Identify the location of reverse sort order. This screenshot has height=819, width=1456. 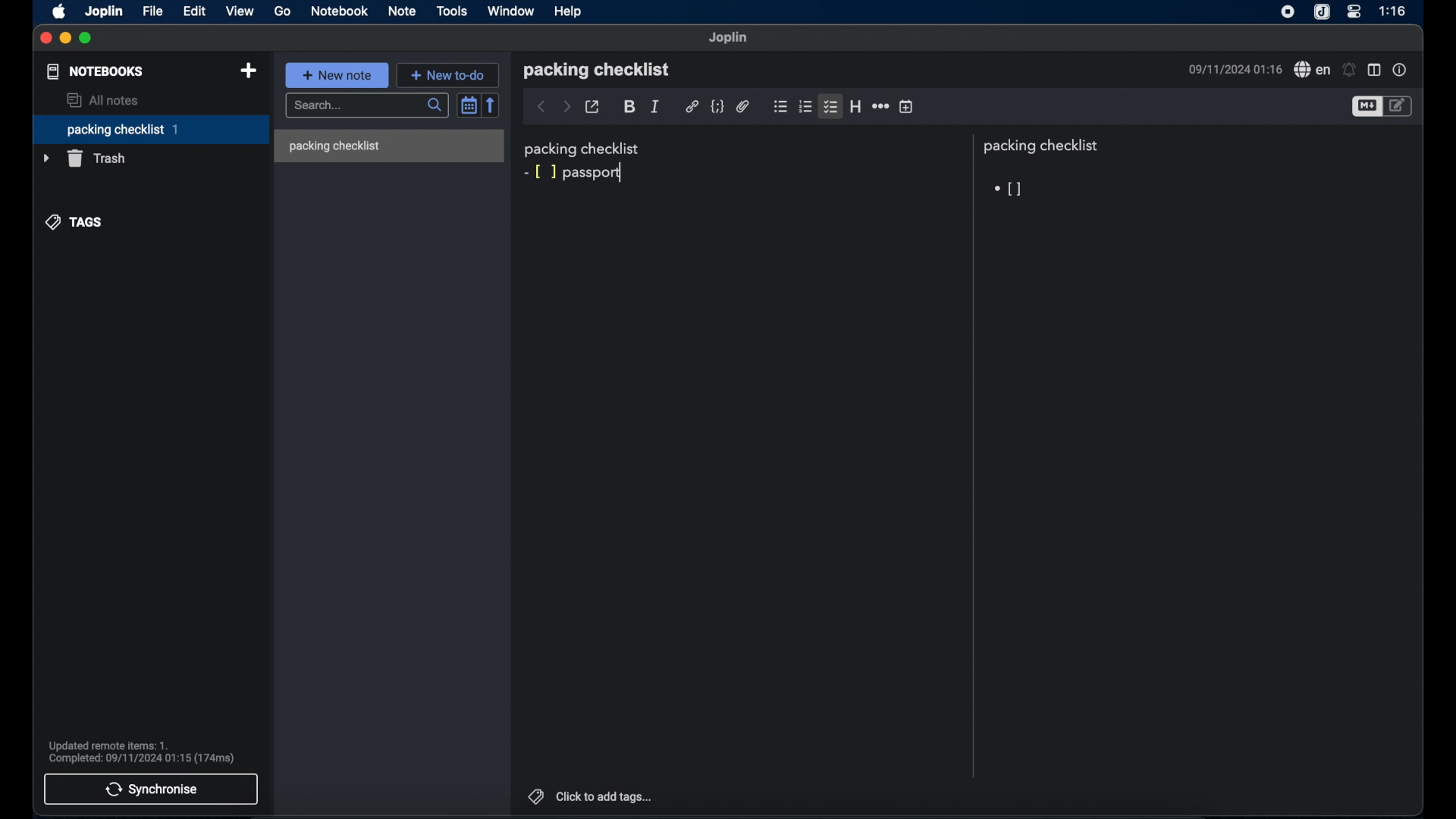
(491, 105).